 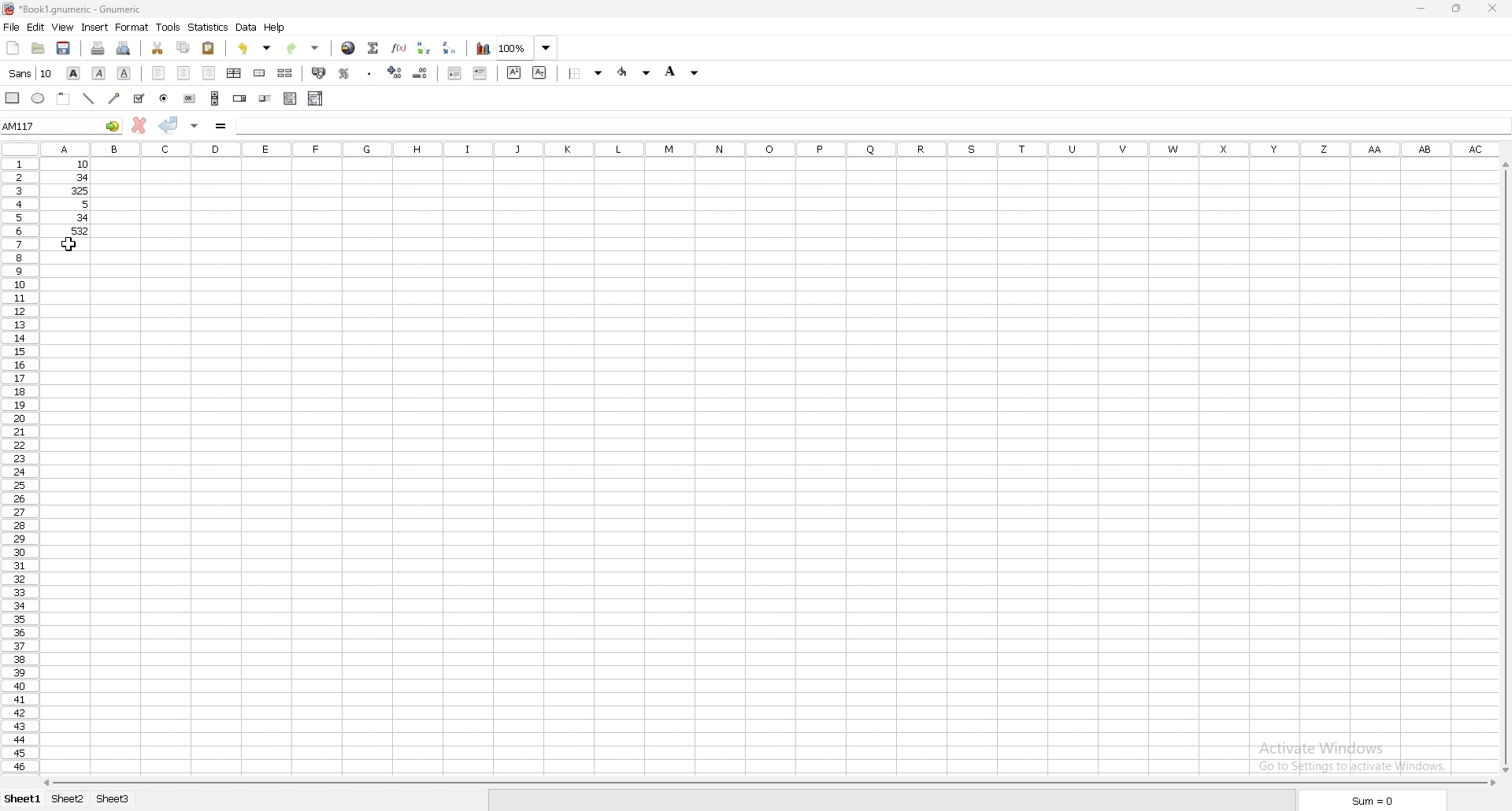 I want to click on function, so click(x=400, y=48).